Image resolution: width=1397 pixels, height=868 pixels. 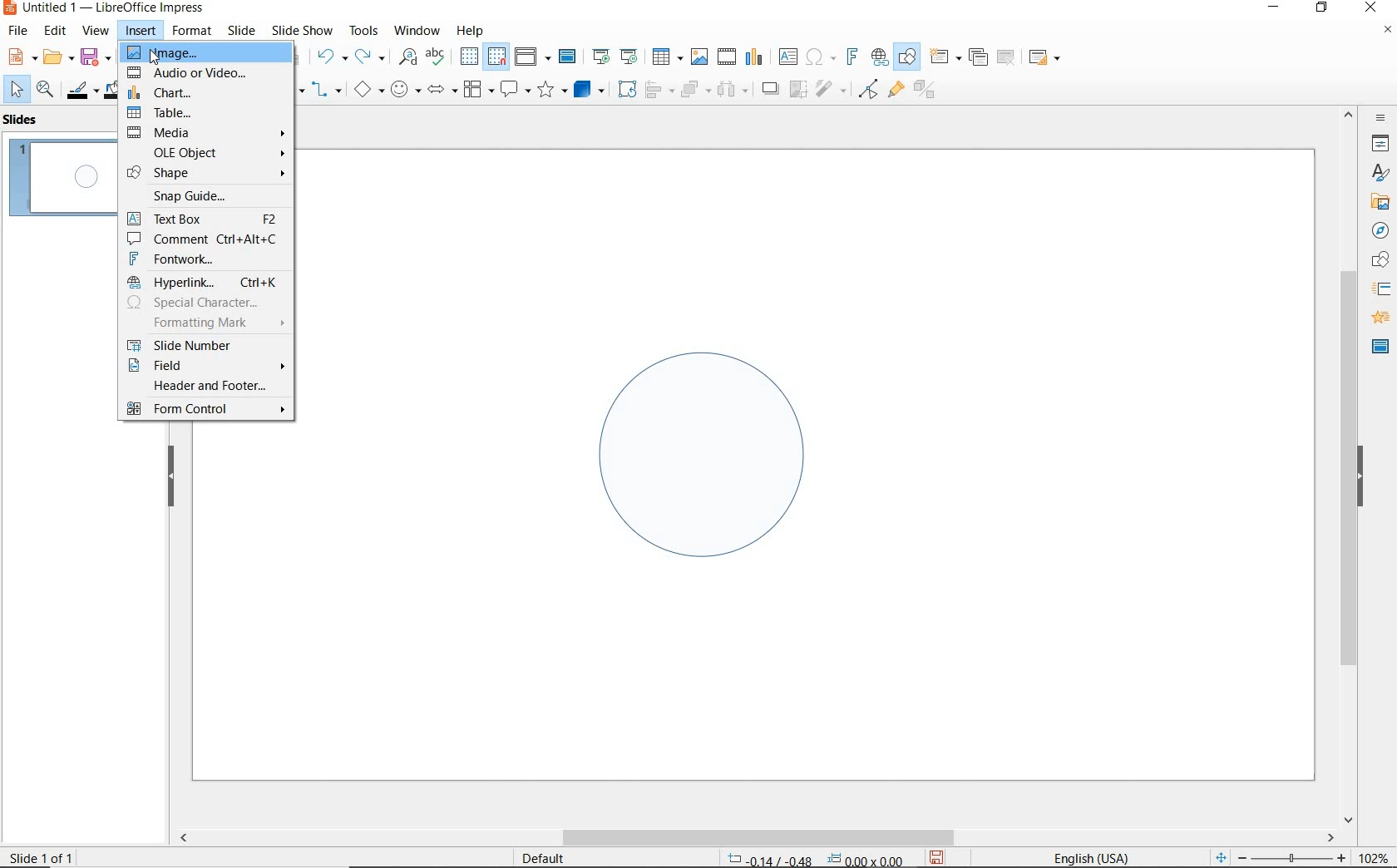 What do you see at coordinates (206, 411) in the screenshot?
I see `FORM CONTROL` at bounding box center [206, 411].